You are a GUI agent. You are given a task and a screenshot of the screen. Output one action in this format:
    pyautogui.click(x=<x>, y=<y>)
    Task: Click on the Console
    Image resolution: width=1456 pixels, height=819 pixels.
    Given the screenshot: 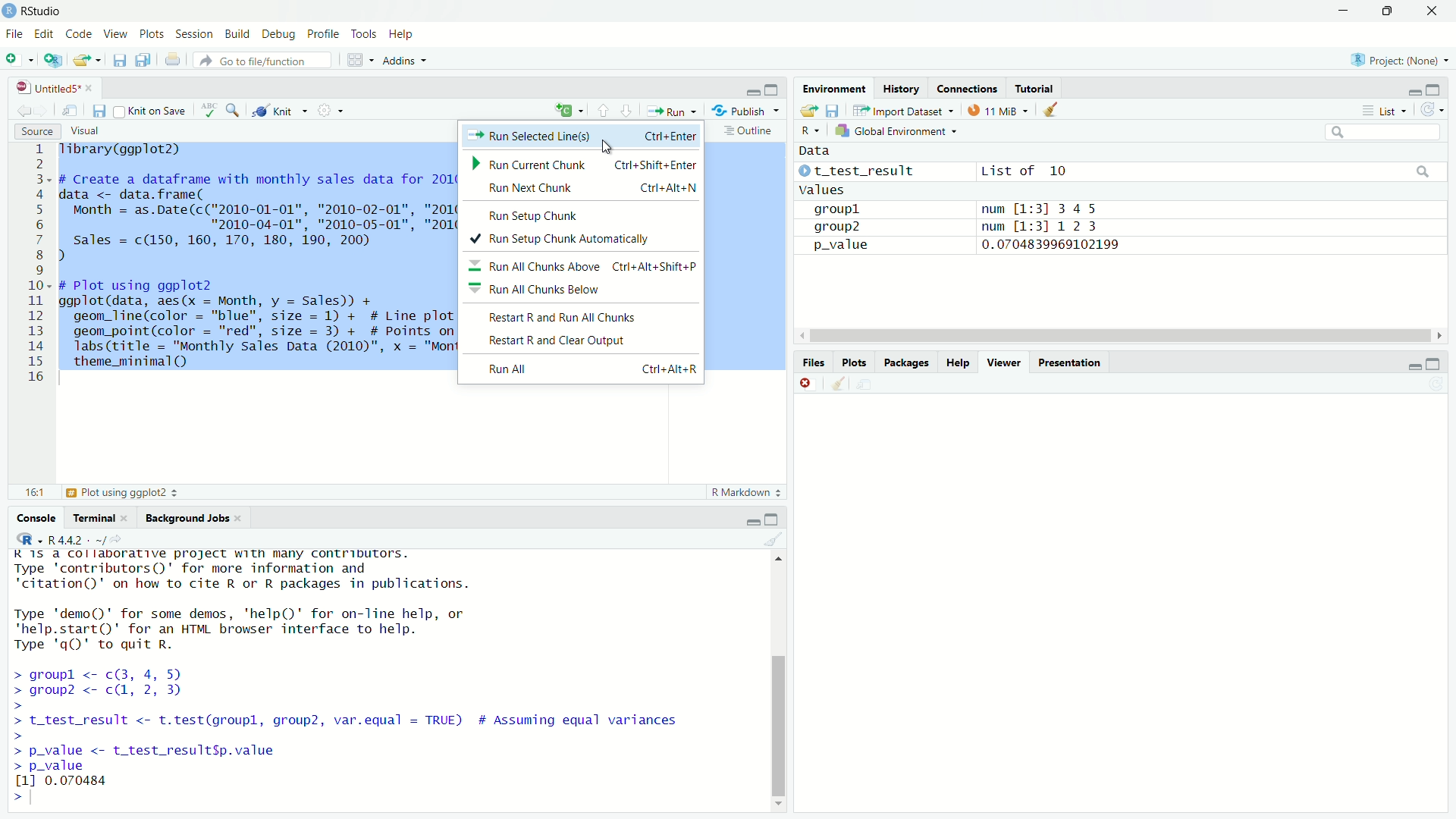 What is the action you would take?
    pyautogui.click(x=35, y=516)
    